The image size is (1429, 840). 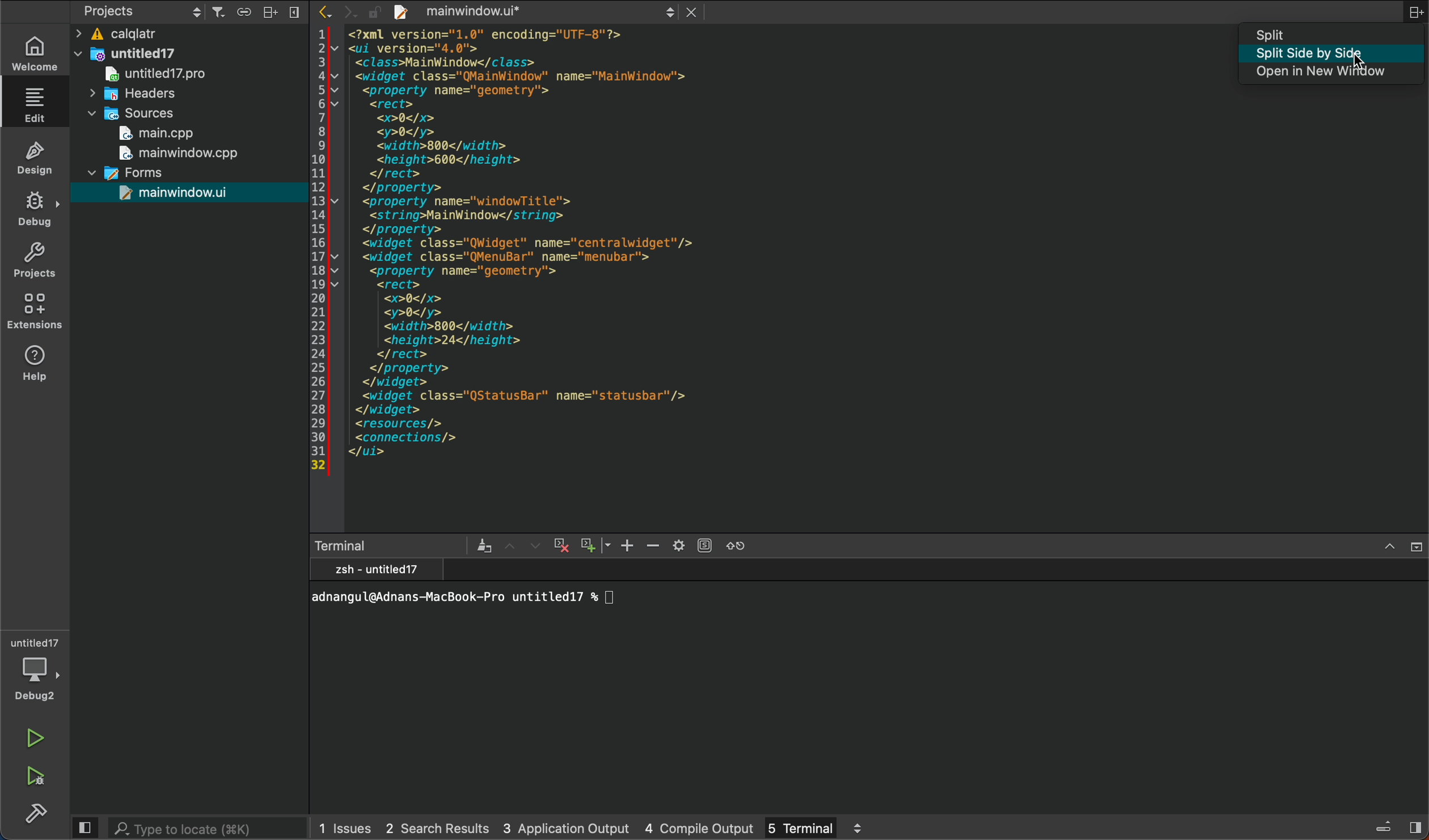 I want to click on zoom in, so click(x=627, y=545).